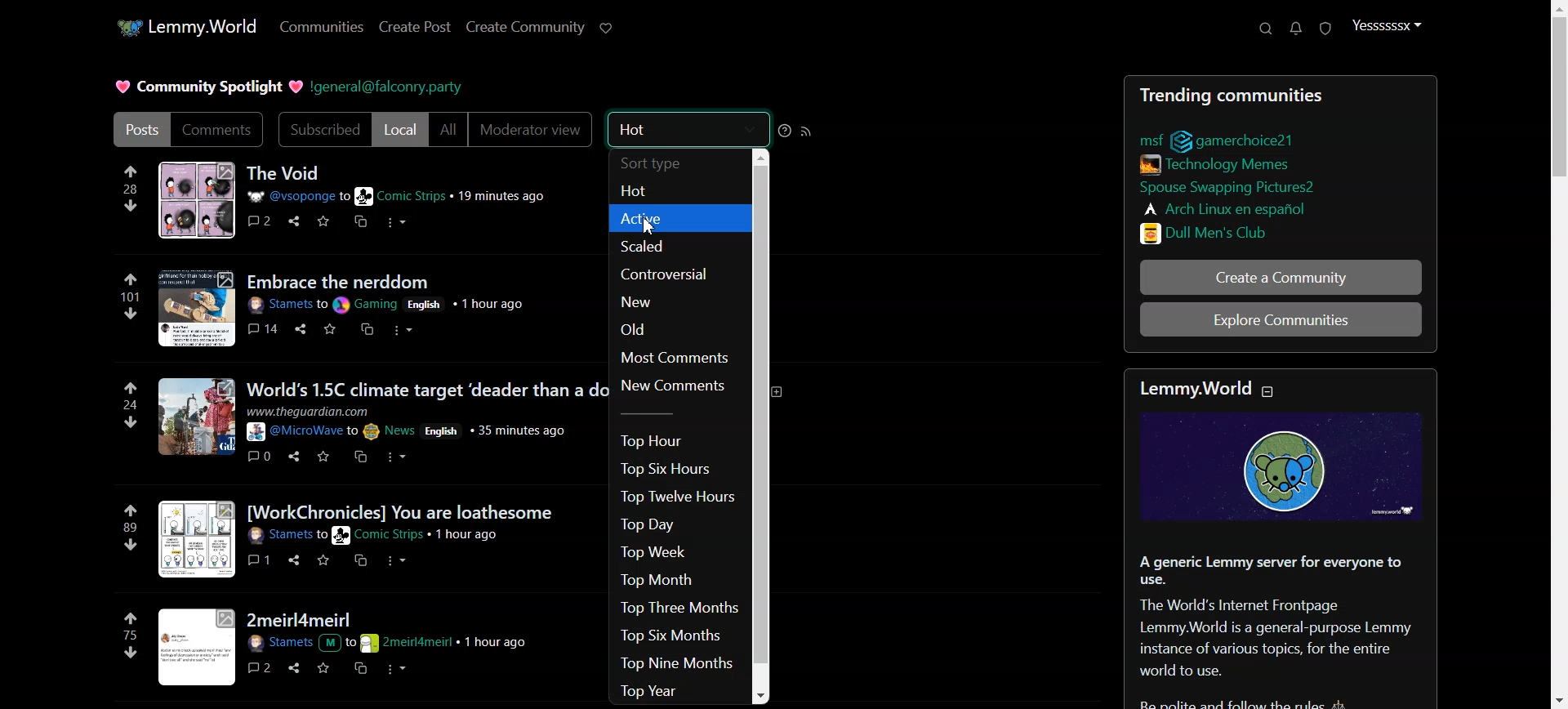 This screenshot has width=1568, height=709. Describe the element at coordinates (678, 163) in the screenshot. I see `Sort type` at that location.